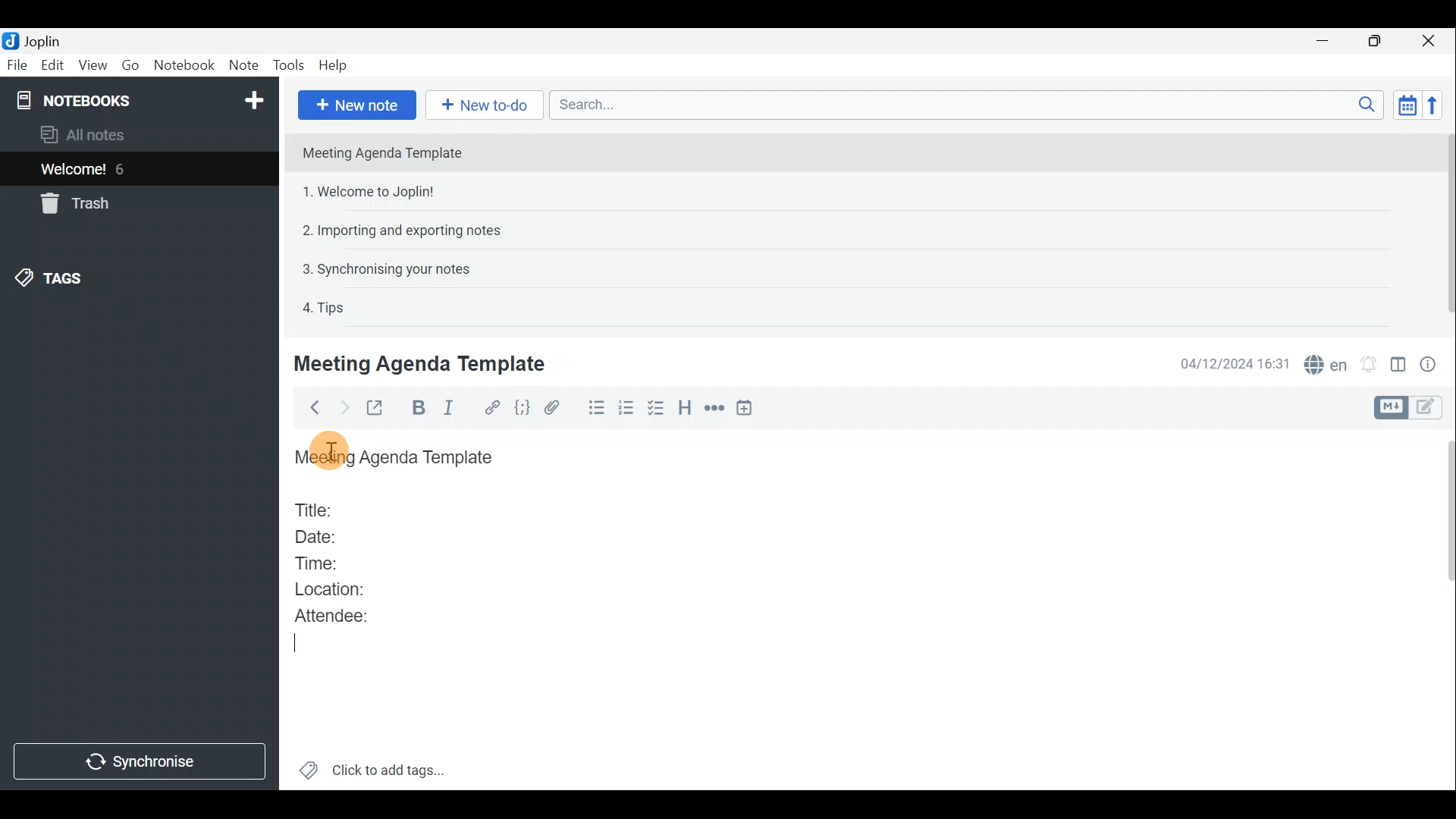 The height and width of the screenshot is (819, 1456). Describe the element at coordinates (124, 169) in the screenshot. I see `6` at that location.